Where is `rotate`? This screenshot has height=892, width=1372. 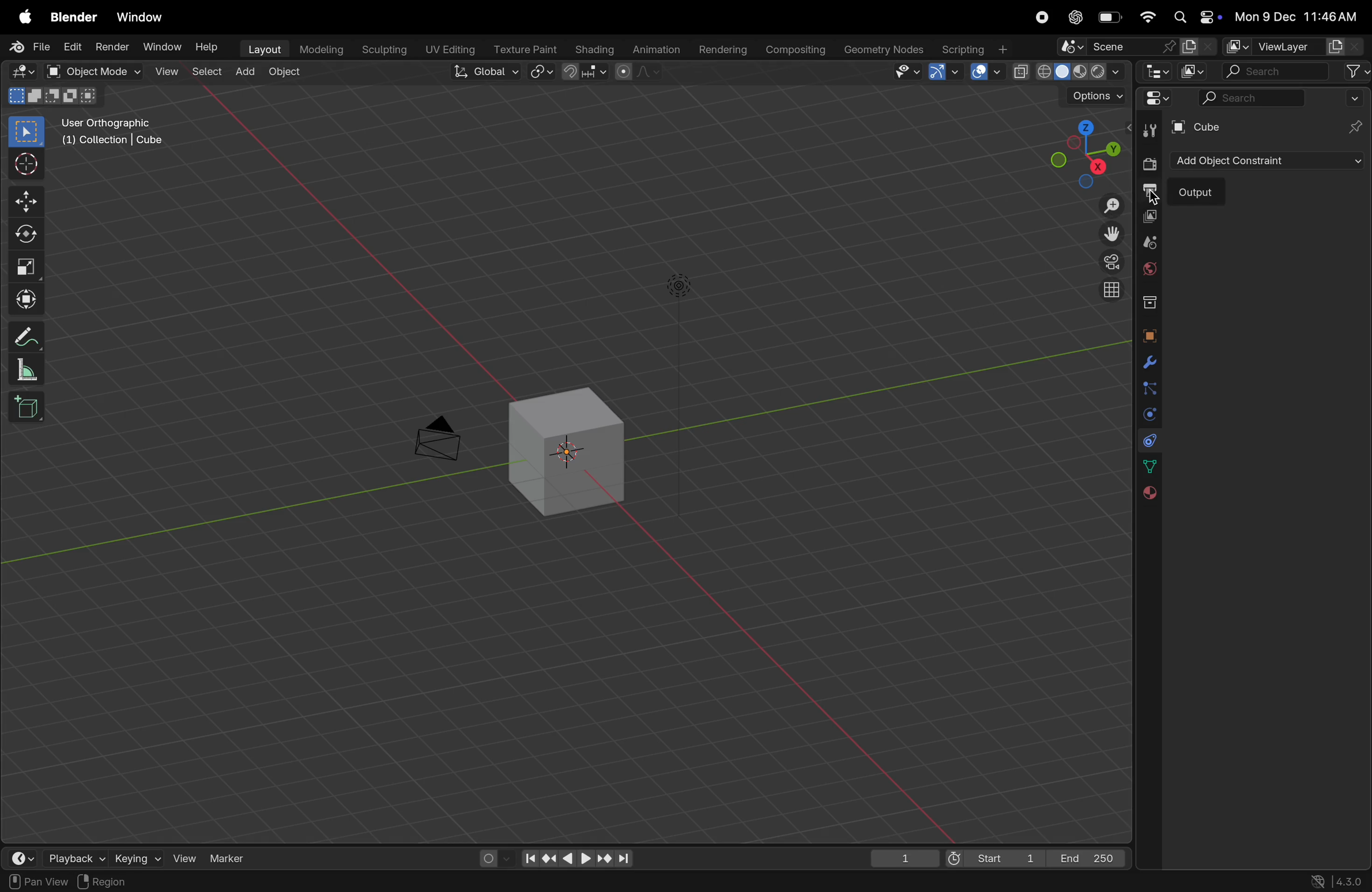 rotate is located at coordinates (22, 233).